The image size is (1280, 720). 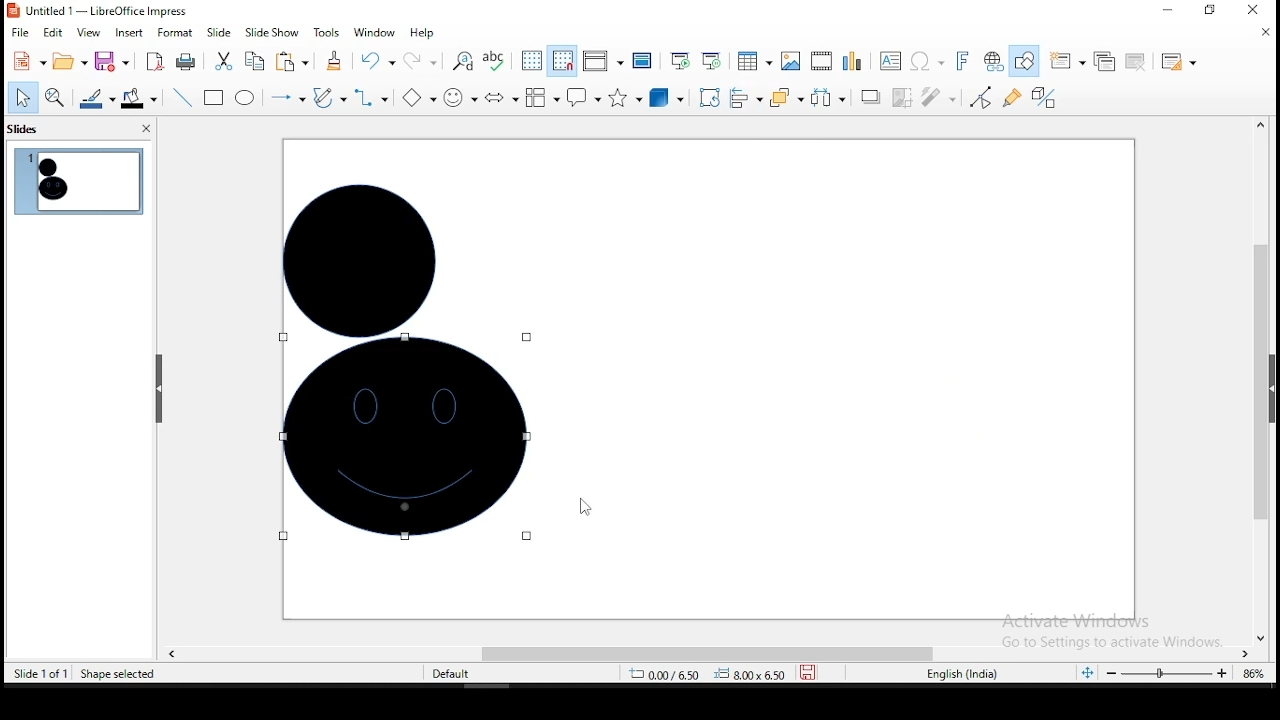 I want to click on cut, so click(x=223, y=61).